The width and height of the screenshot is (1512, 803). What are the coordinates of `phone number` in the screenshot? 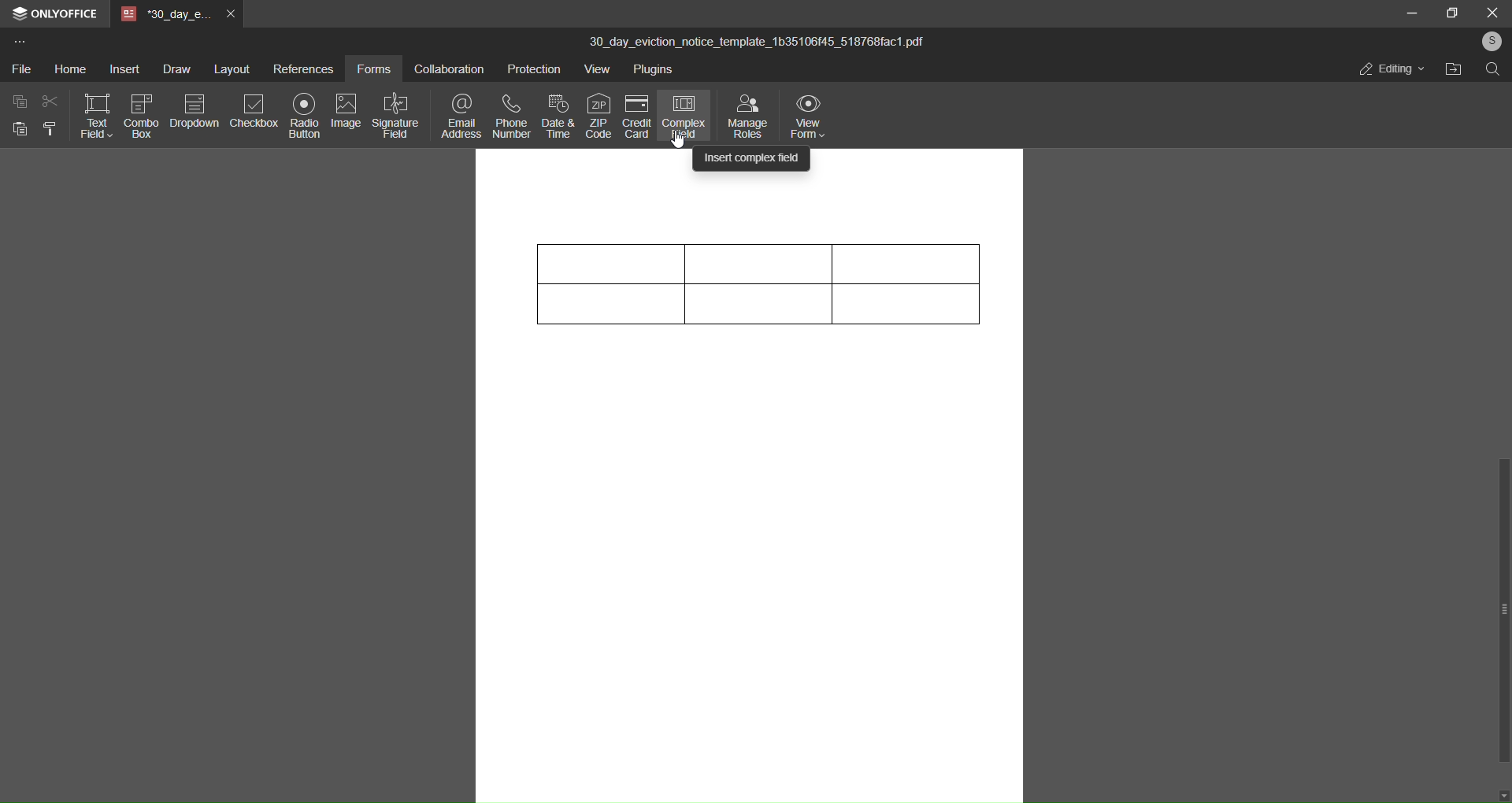 It's located at (512, 114).